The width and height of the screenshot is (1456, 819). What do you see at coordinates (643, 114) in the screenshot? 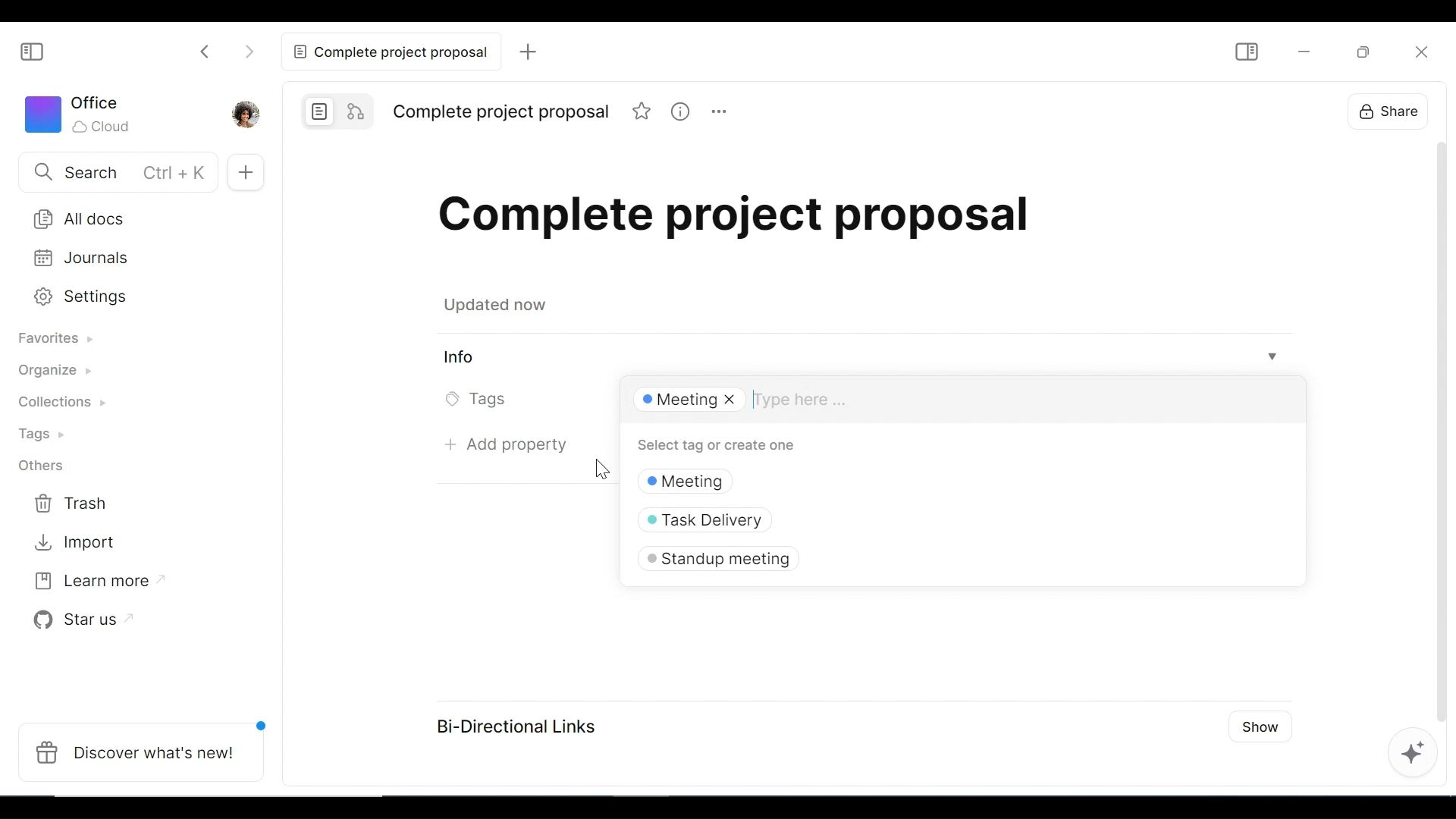
I see `favorite` at bounding box center [643, 114].